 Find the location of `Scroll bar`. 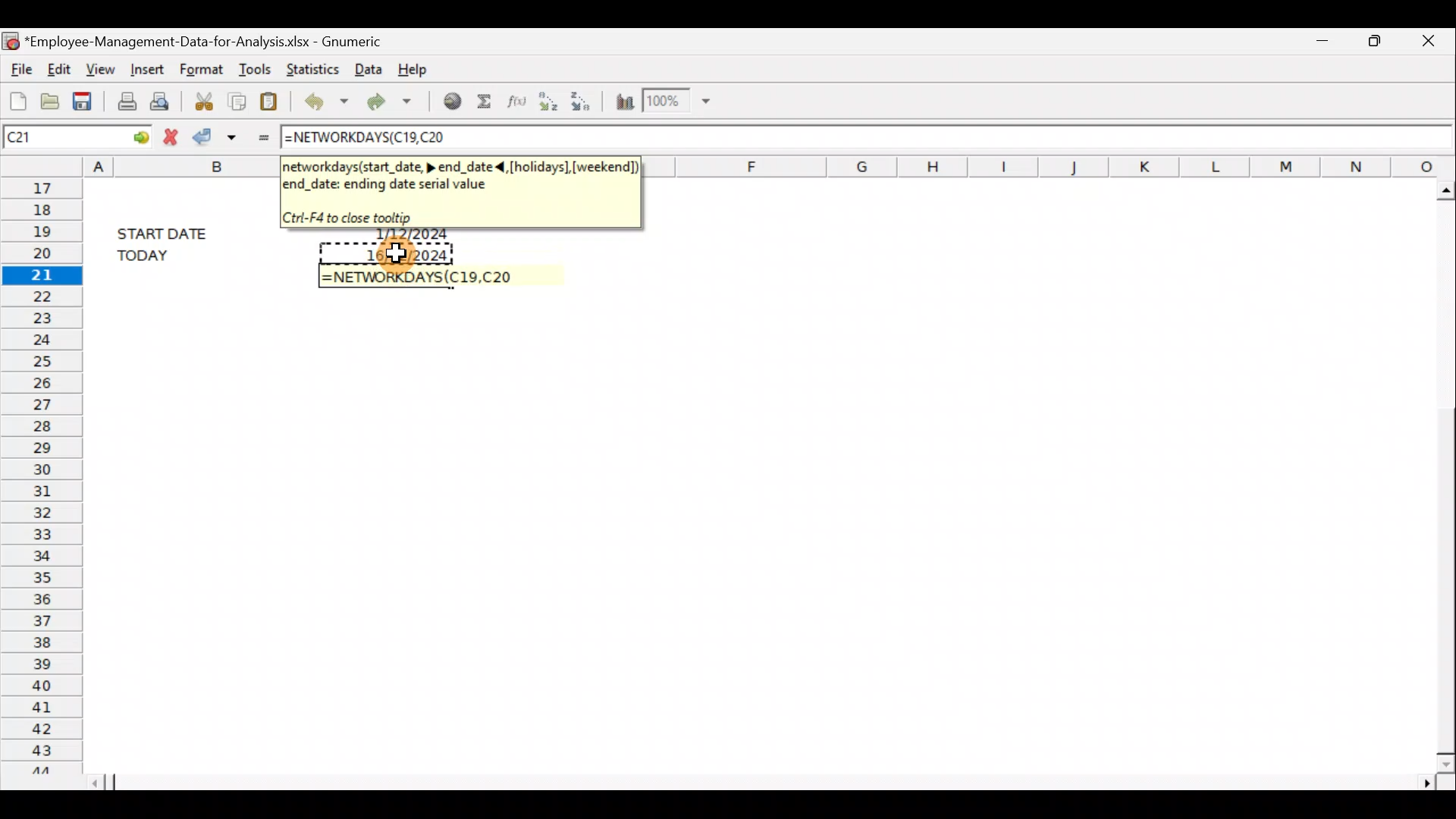

Scroll bar is located at coordinates (767, 782).